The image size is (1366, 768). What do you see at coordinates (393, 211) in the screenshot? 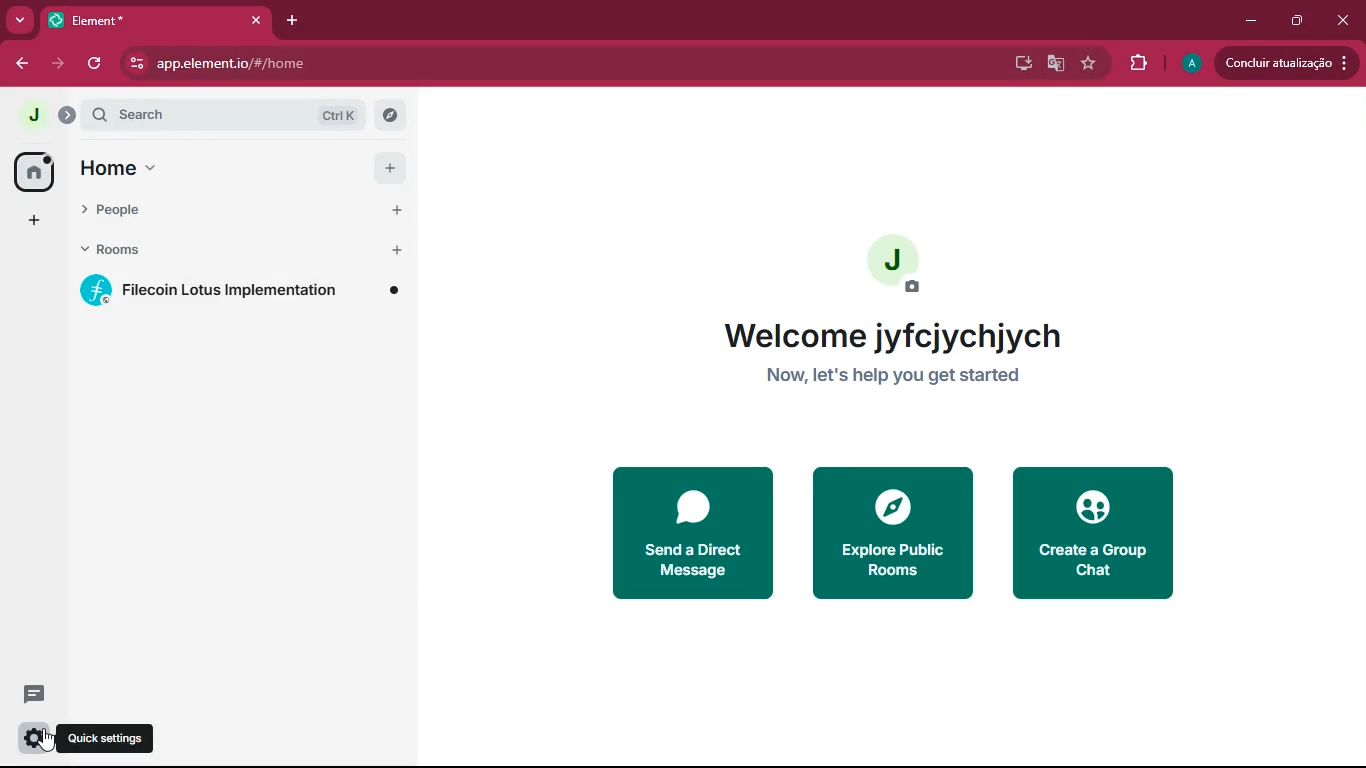
I see `Add` at bounding box center [393, 211].